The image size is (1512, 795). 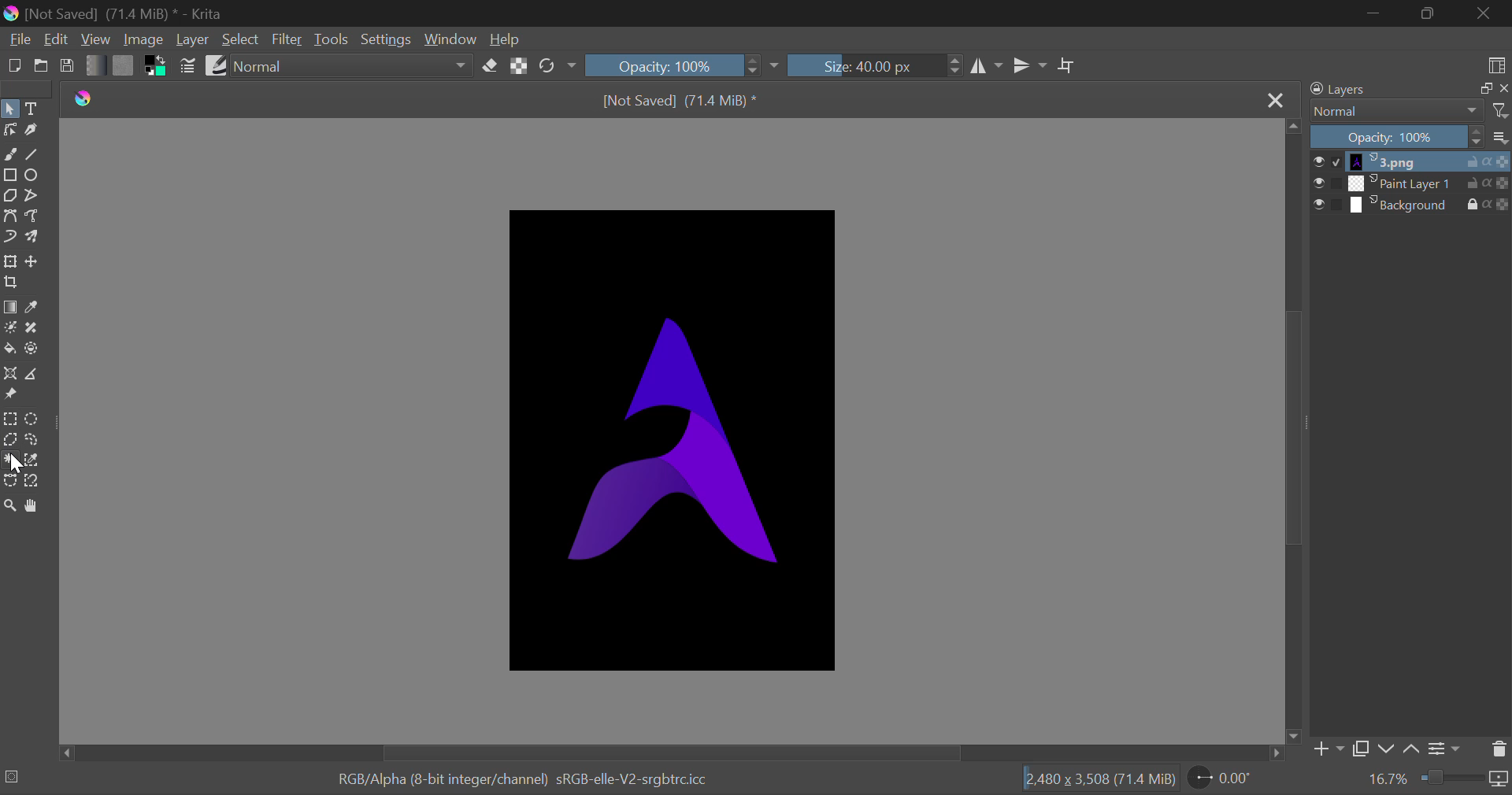 I want to click on Similar Color Selection, so click(x=32, y=460).